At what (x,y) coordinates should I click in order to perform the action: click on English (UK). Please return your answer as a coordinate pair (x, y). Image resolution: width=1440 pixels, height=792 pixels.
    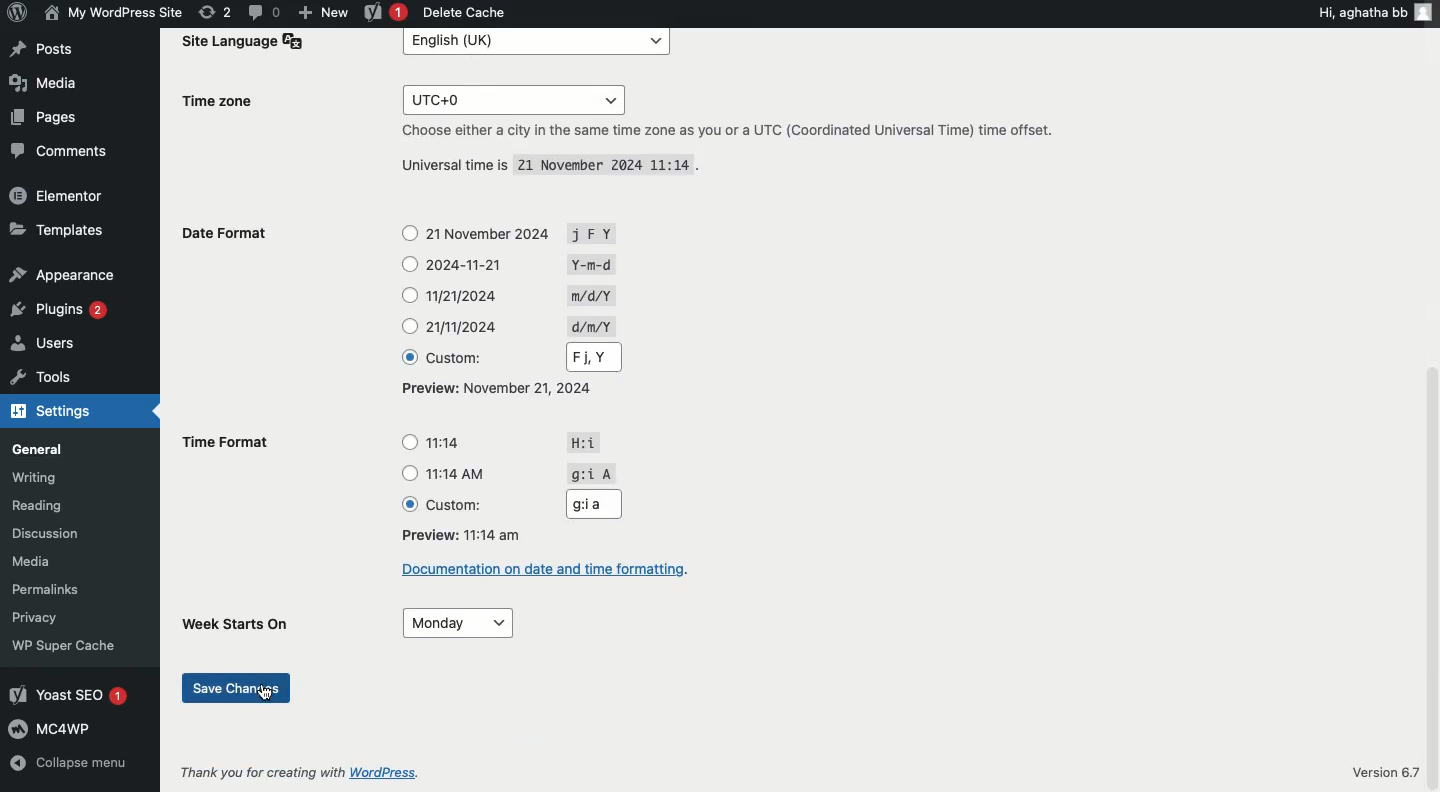
    Looking at the image, I should click on (538, 43).